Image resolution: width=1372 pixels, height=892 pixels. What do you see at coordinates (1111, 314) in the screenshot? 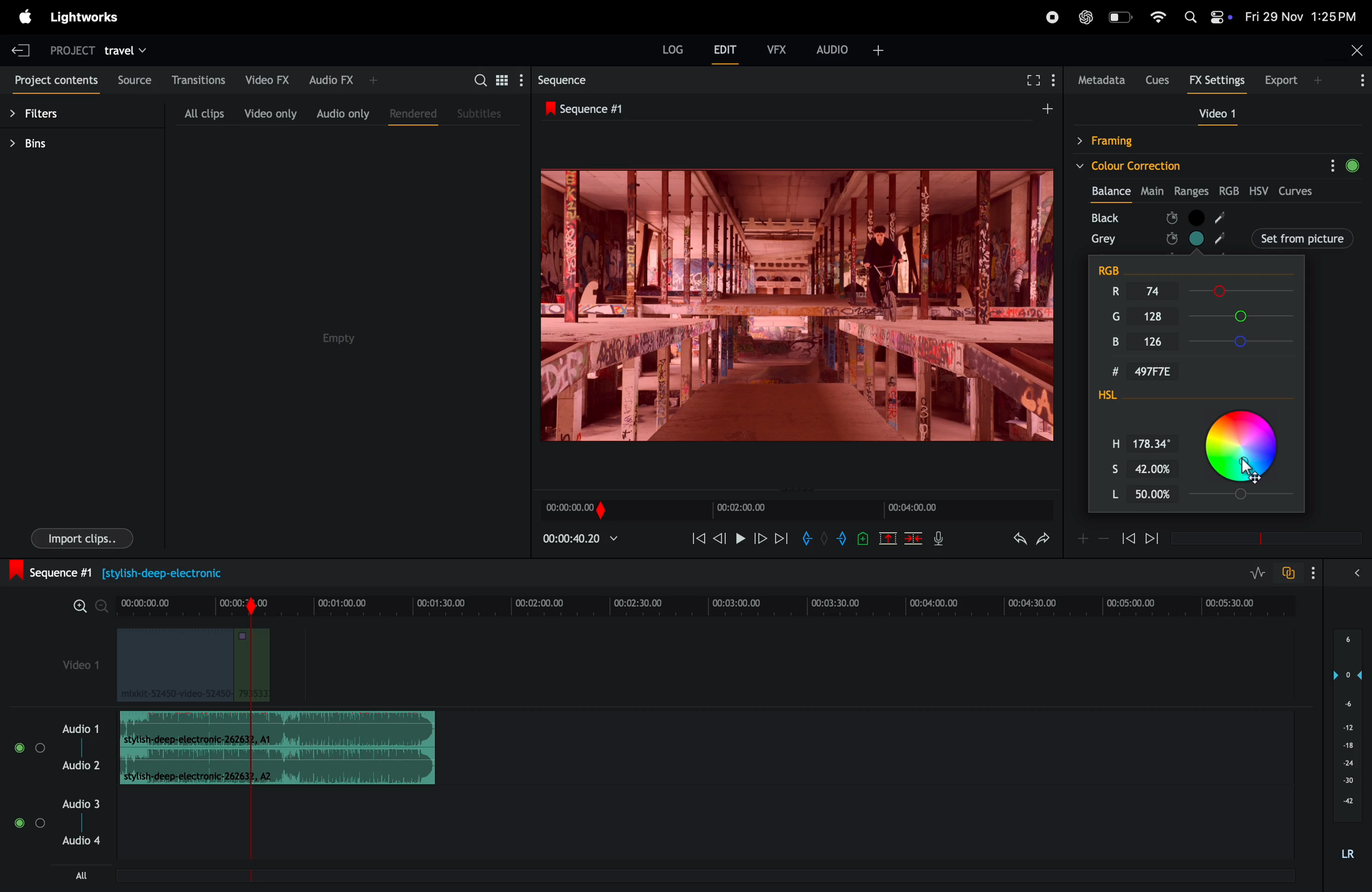
I see `G` at bounding box center [1111, 314].